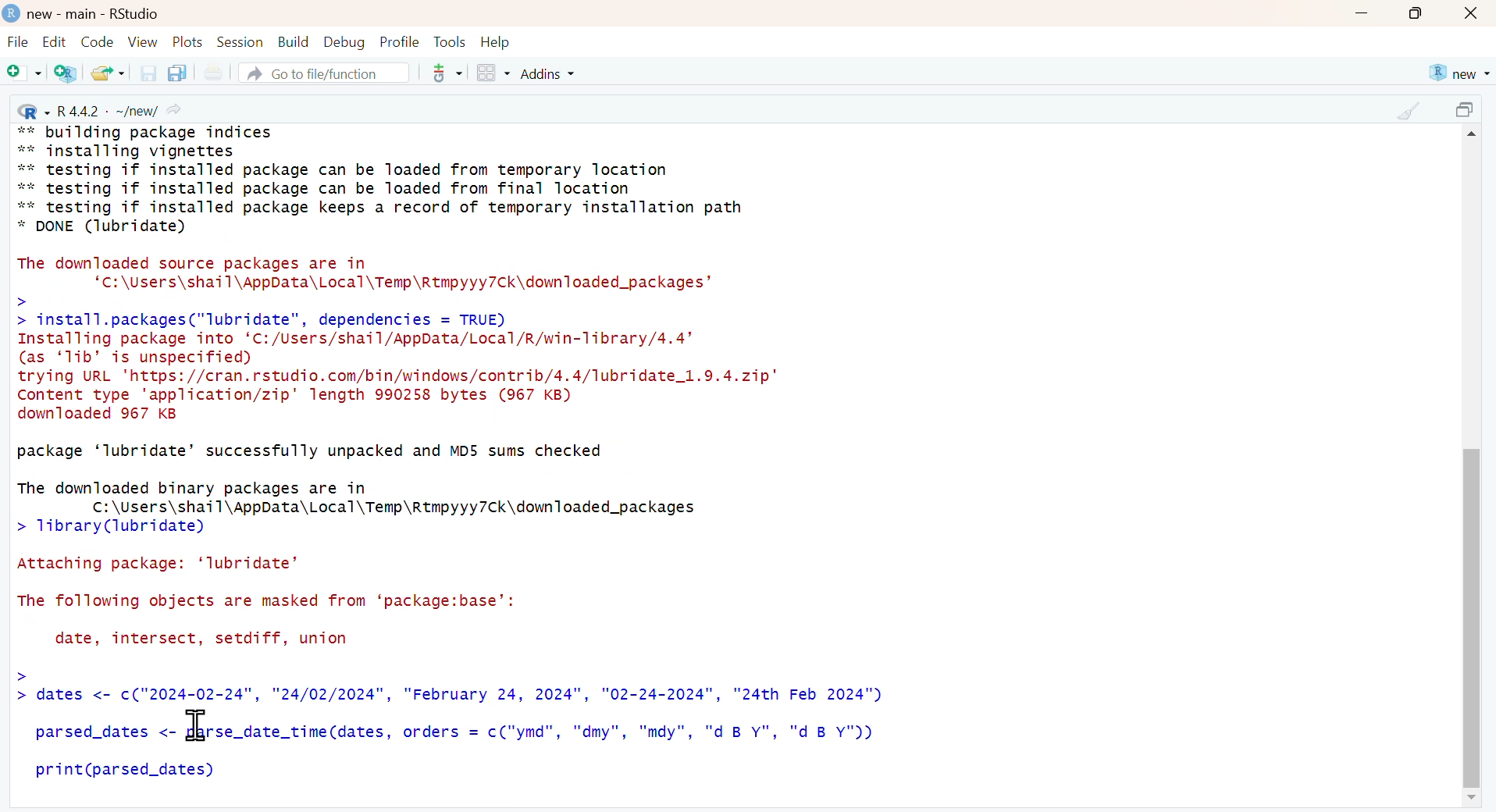 This screenshot has height=812, width=1496. Describe the element at coordinates (54, 41) in the screenshot. I see `Edit` at that location.